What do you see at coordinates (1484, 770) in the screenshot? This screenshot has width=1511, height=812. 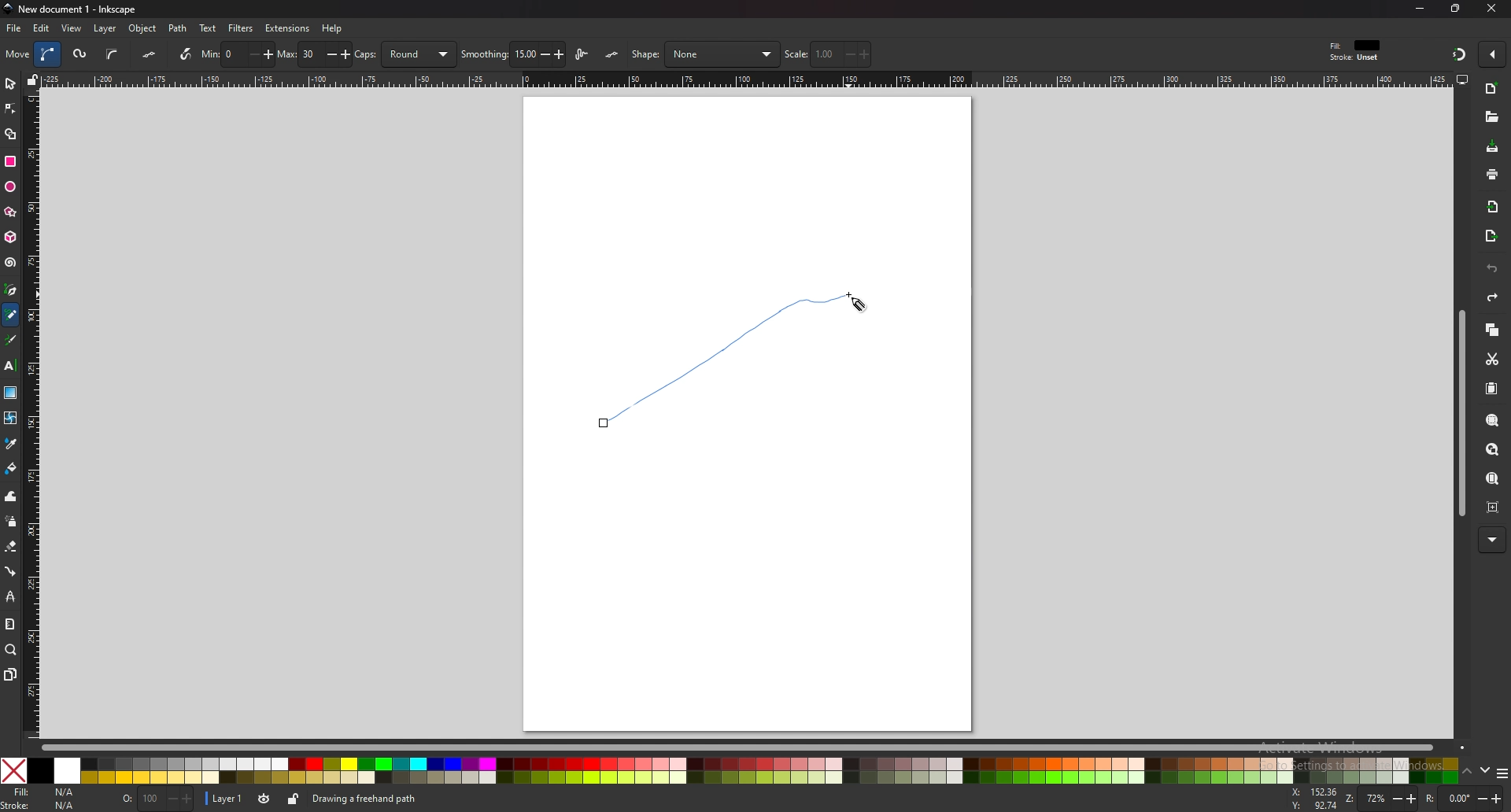 I see `down` at bounding box center [1484, 770].